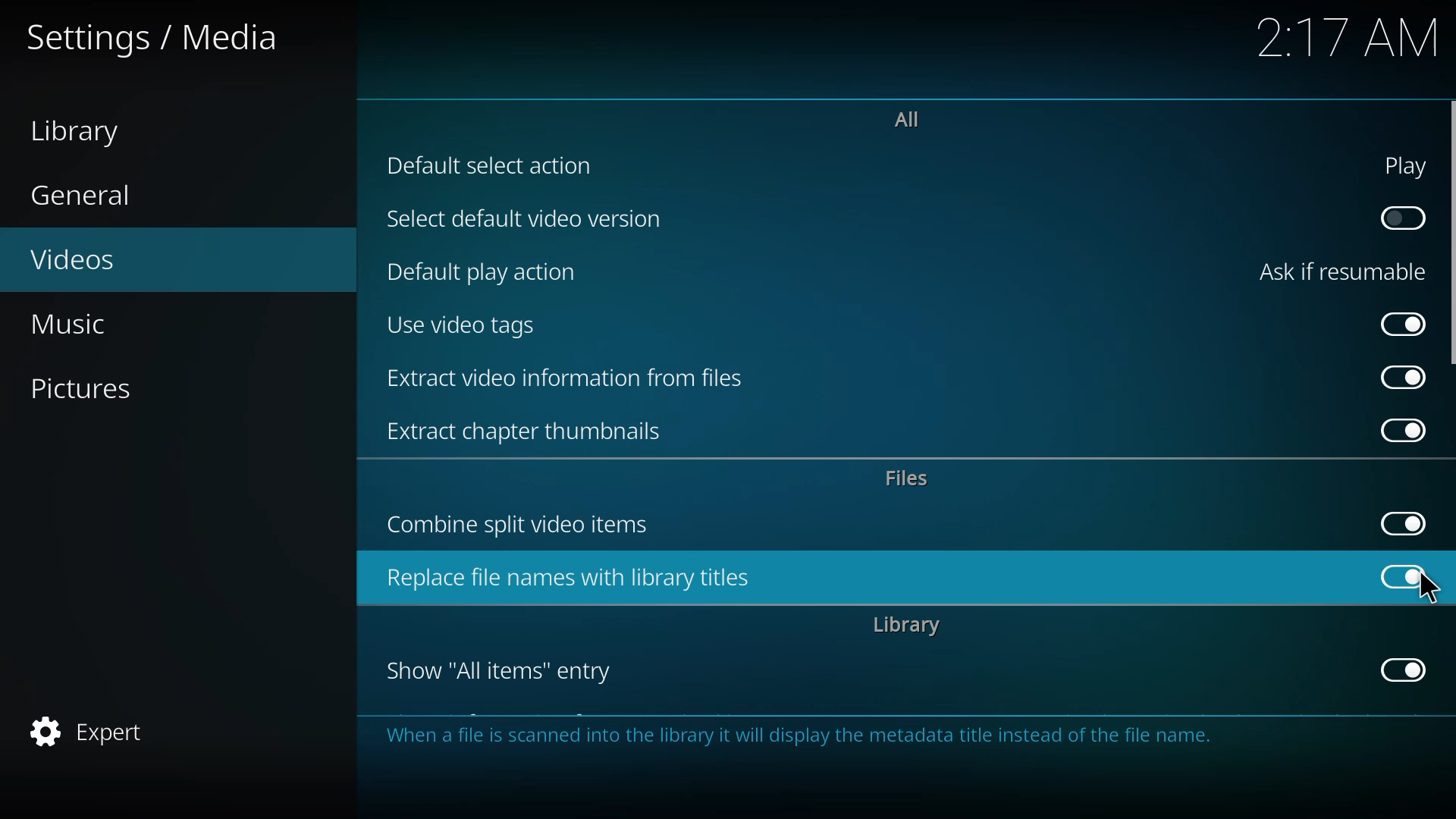  What do you see at coordinates (83, 390) in the screenshot?
I see `pictures` at bounding box center [83, 390].